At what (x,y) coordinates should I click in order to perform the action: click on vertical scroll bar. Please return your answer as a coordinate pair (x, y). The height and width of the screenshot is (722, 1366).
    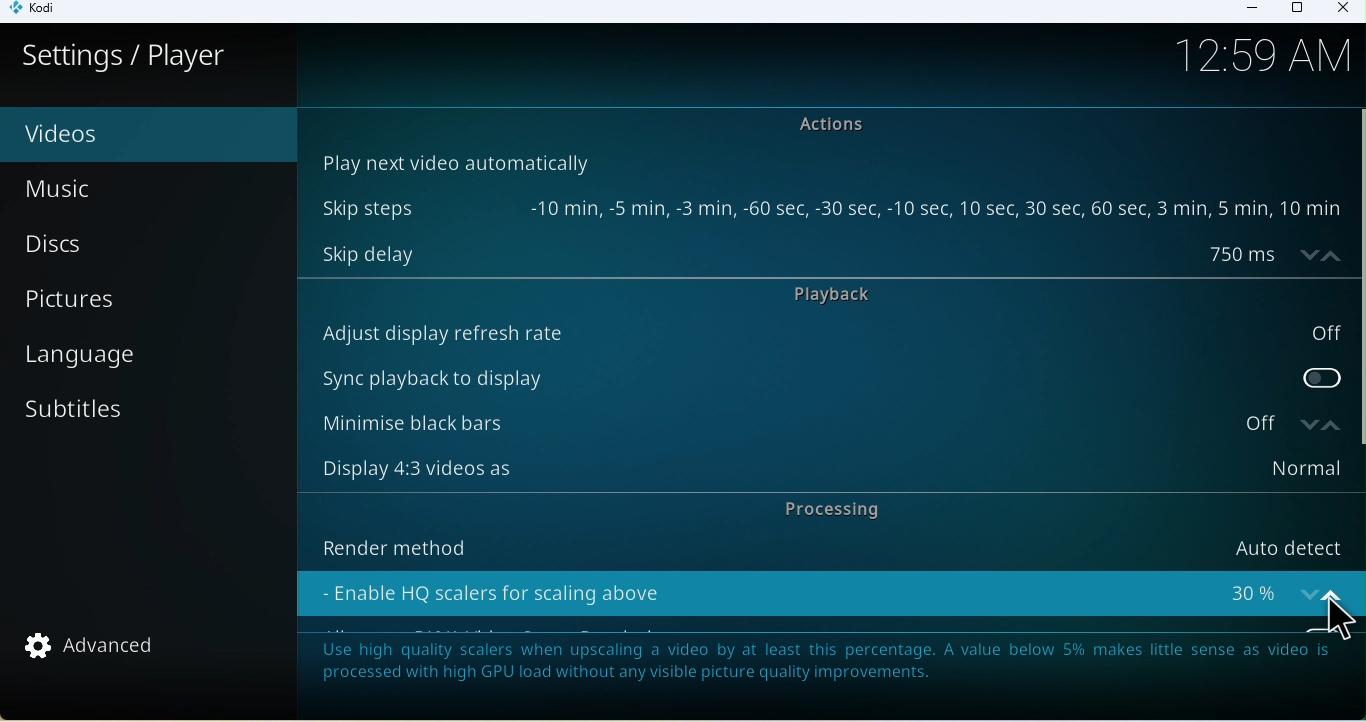
    Looking at the image, I should click on (1357, 277).